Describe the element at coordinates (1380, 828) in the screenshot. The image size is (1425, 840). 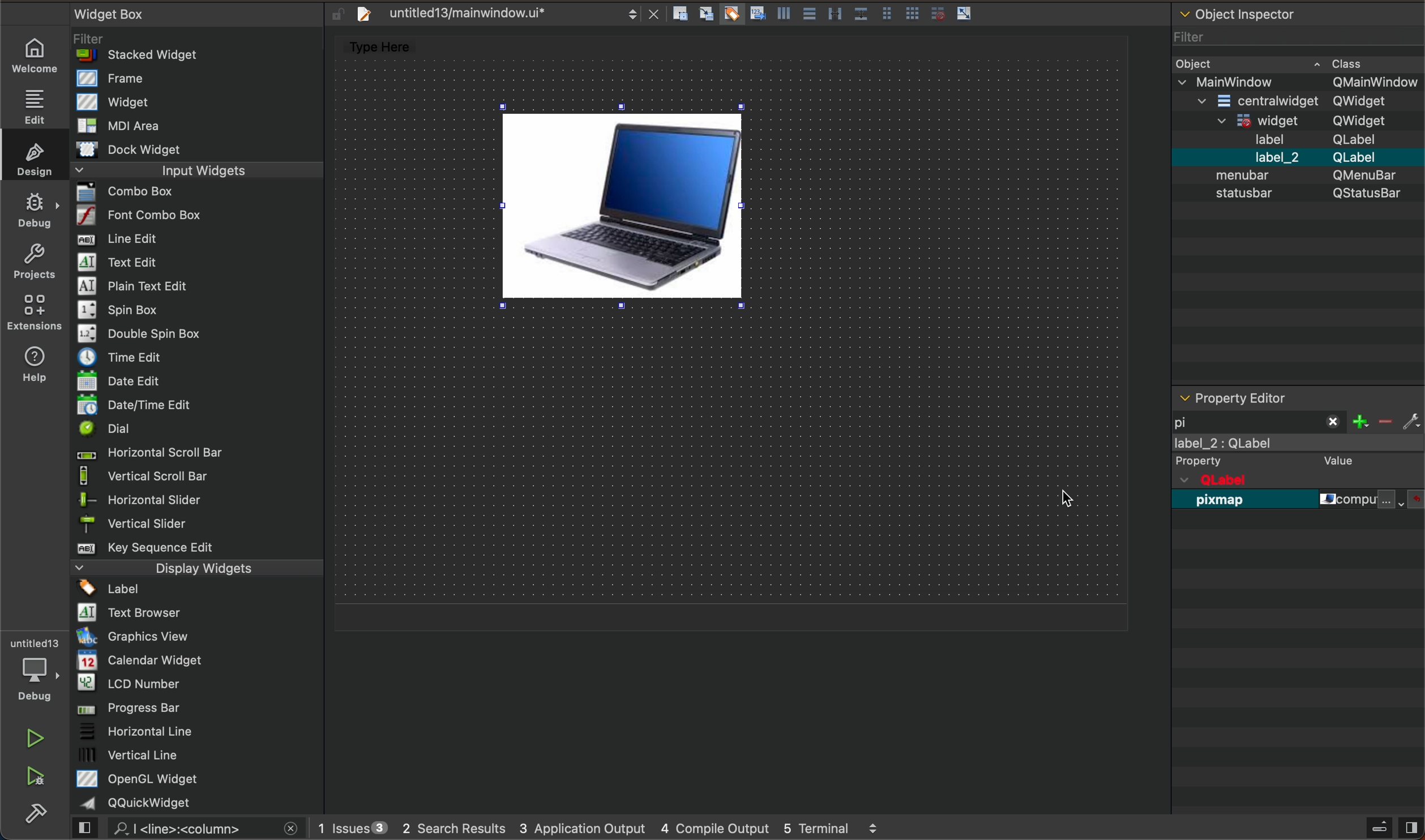
I see `` at that location.